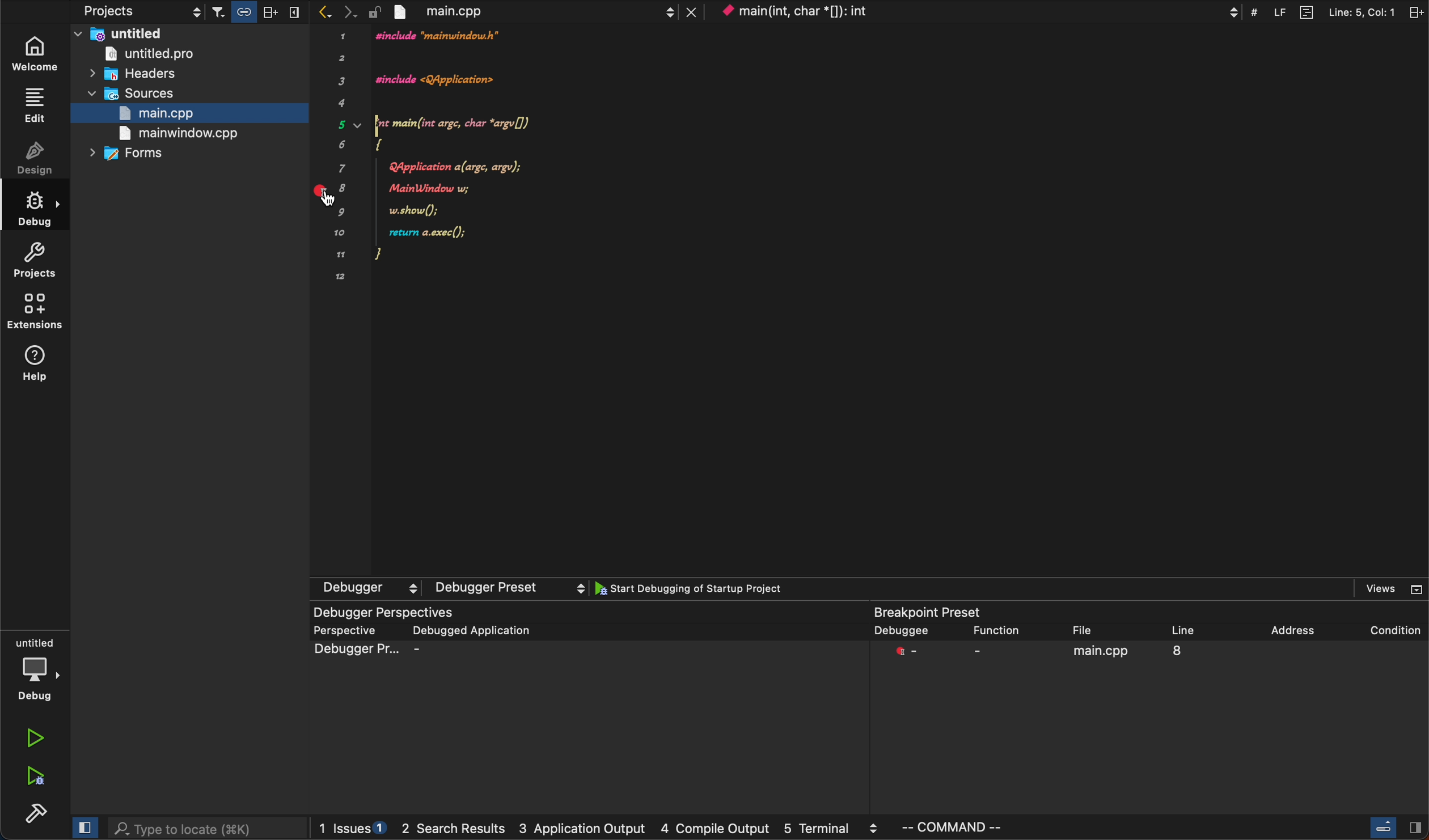 This screenshot has width=1429, height=840. What do you see at coordinates (36, 672) in the screenshot?
I see `debug` at bounding box center [36, 672].